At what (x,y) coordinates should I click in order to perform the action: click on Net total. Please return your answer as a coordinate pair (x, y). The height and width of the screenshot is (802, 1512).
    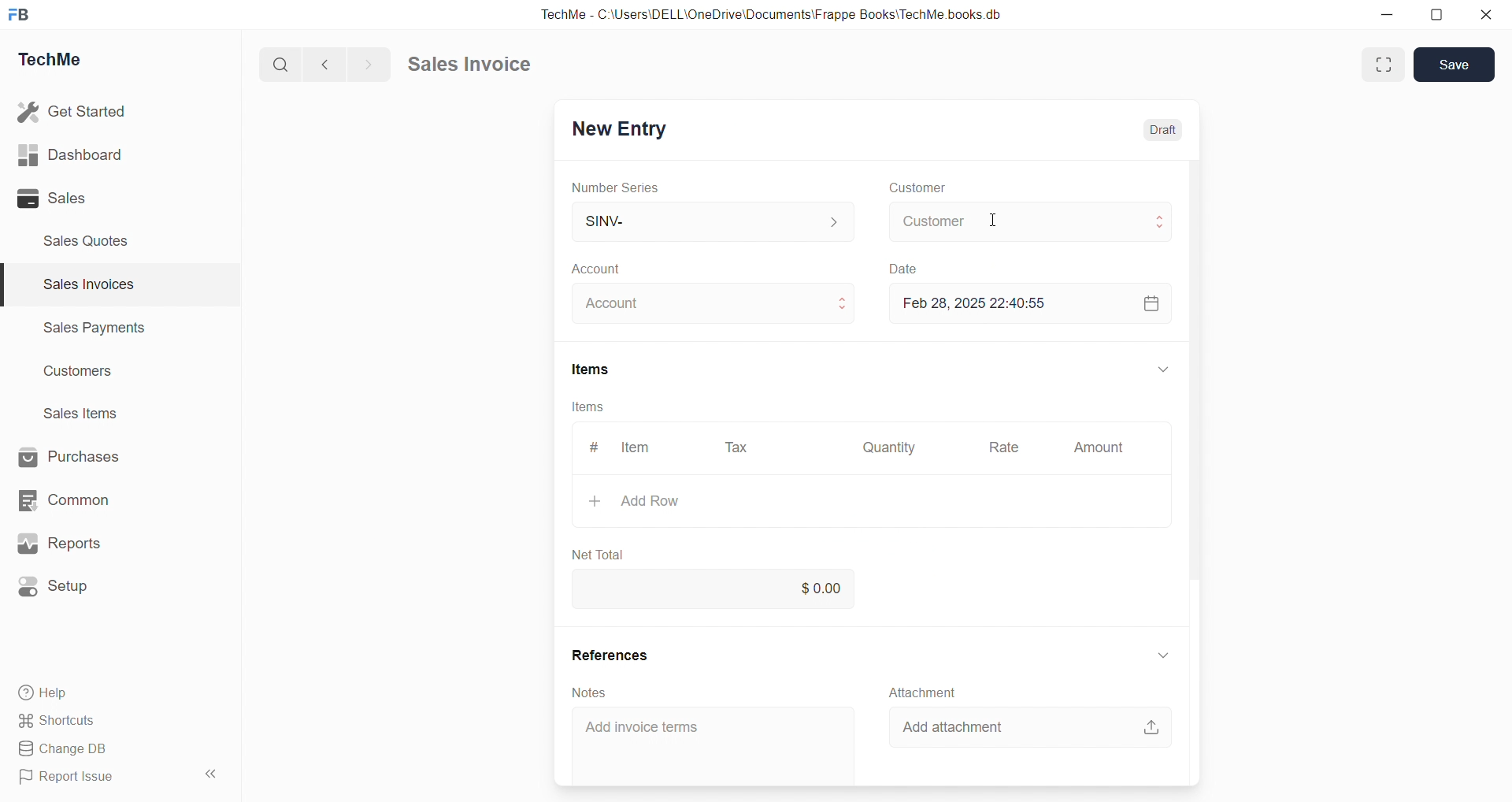
    Looking at the image, I should click on (597, 555).